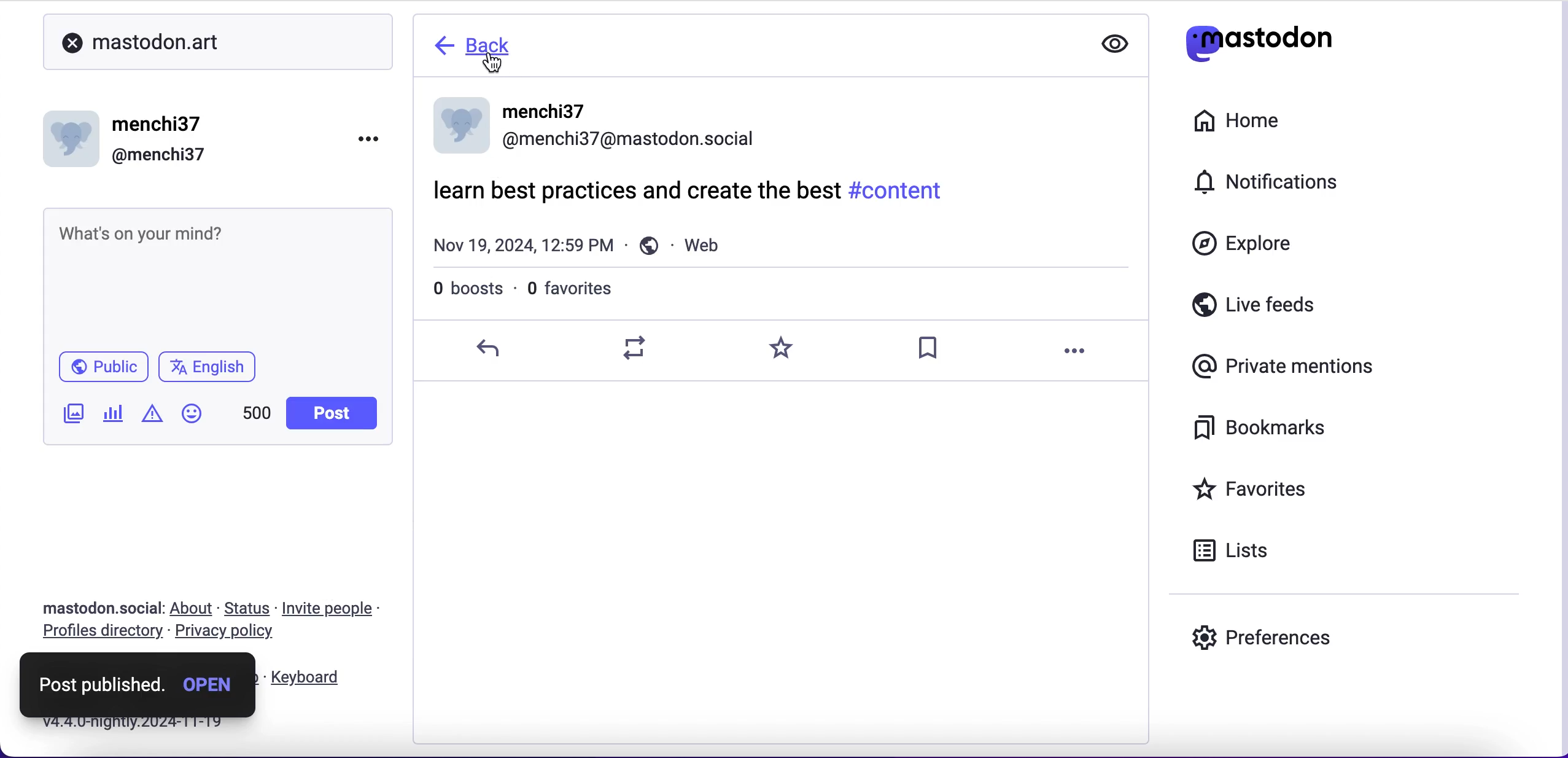  What do you see at coordinates (472, 291) in the screenshot?
I see `0 boosts` at bounding box center [472, 291].